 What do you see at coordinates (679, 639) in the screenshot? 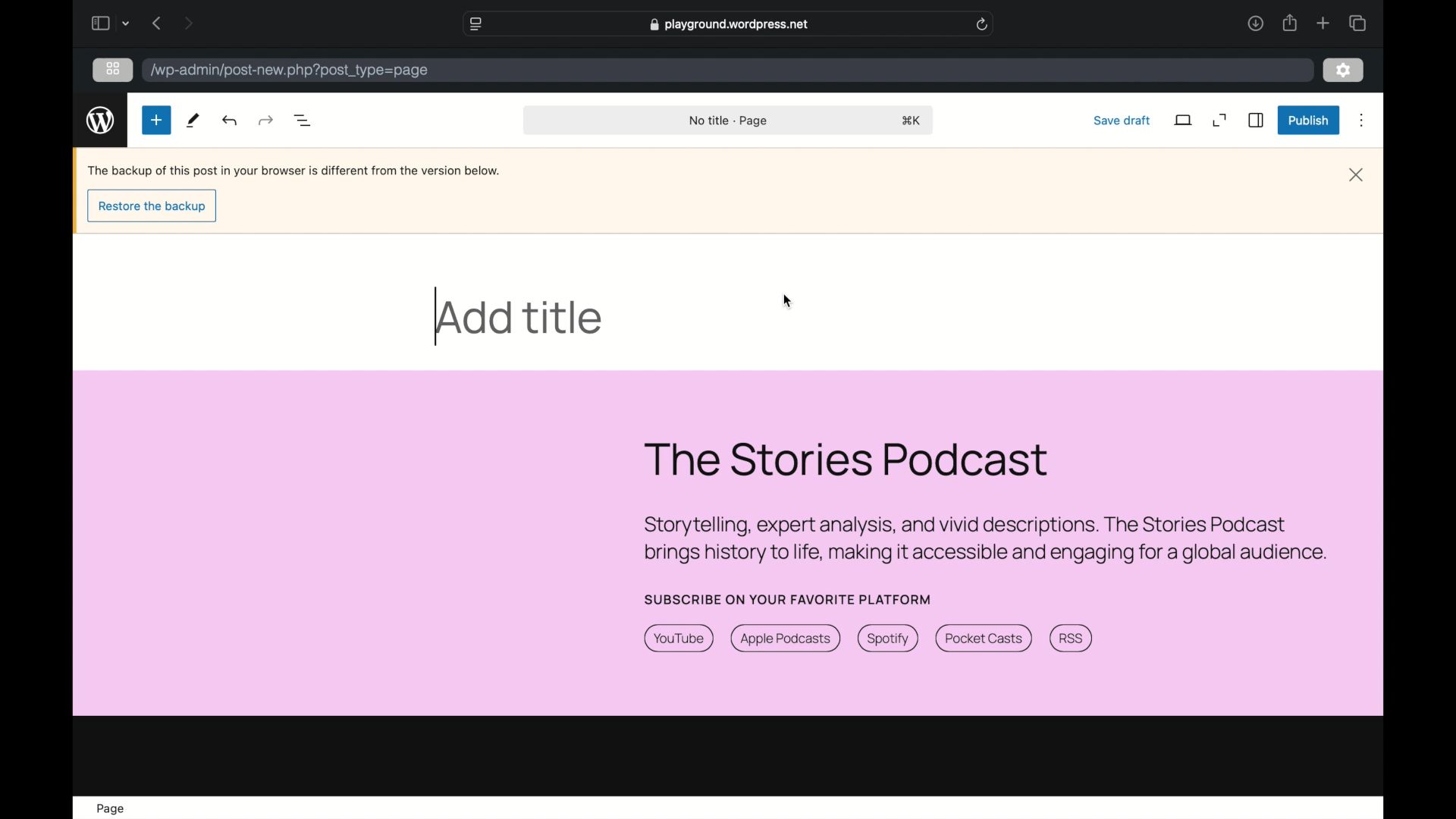
I see `youtube` at bounding box center [679, 639].